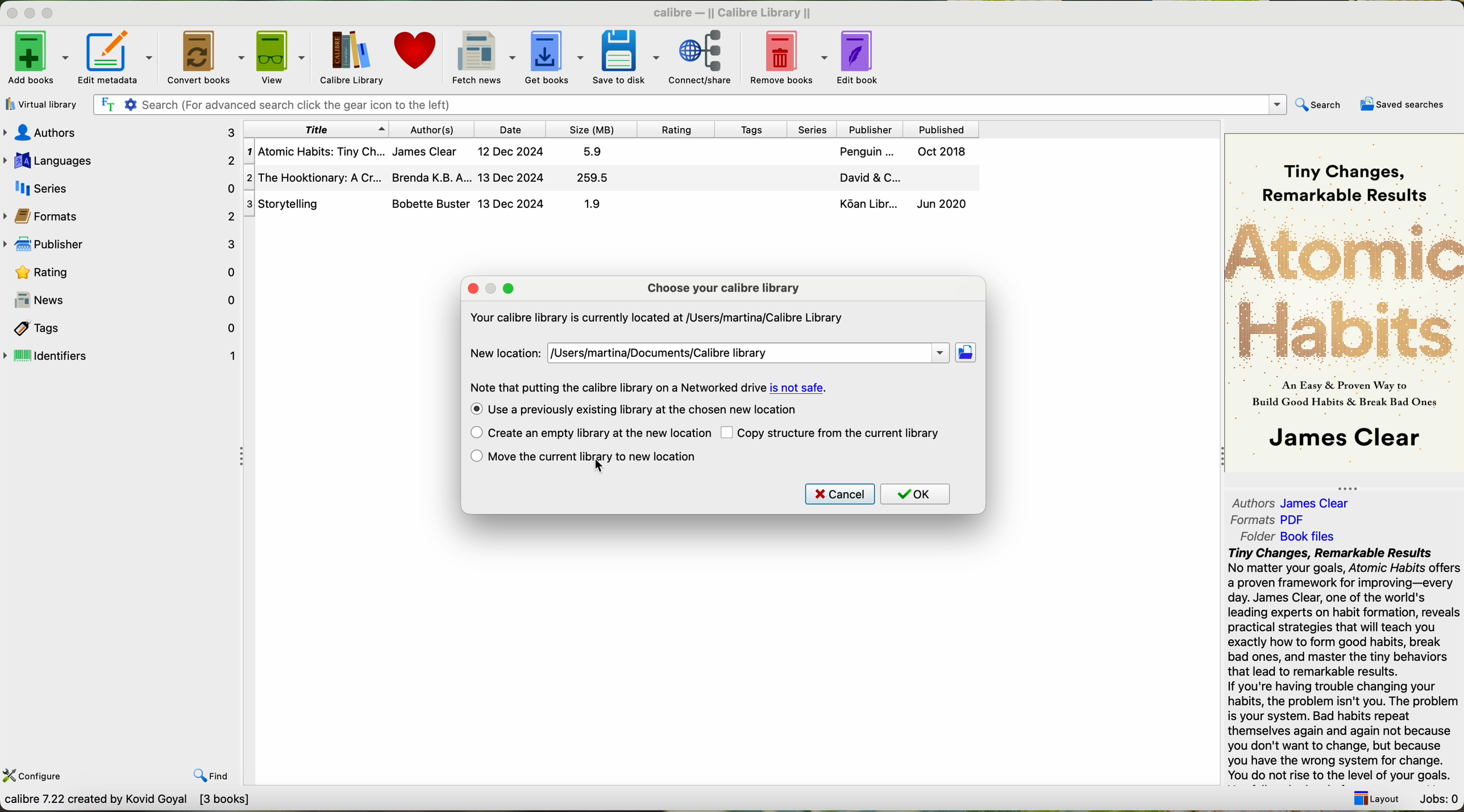 The image size is (1464, 812). I want to click on 2| The Hooktionary: A Cr... Brenda K.B. A... 13 Dec 2024 259.5, so click(437, 177).